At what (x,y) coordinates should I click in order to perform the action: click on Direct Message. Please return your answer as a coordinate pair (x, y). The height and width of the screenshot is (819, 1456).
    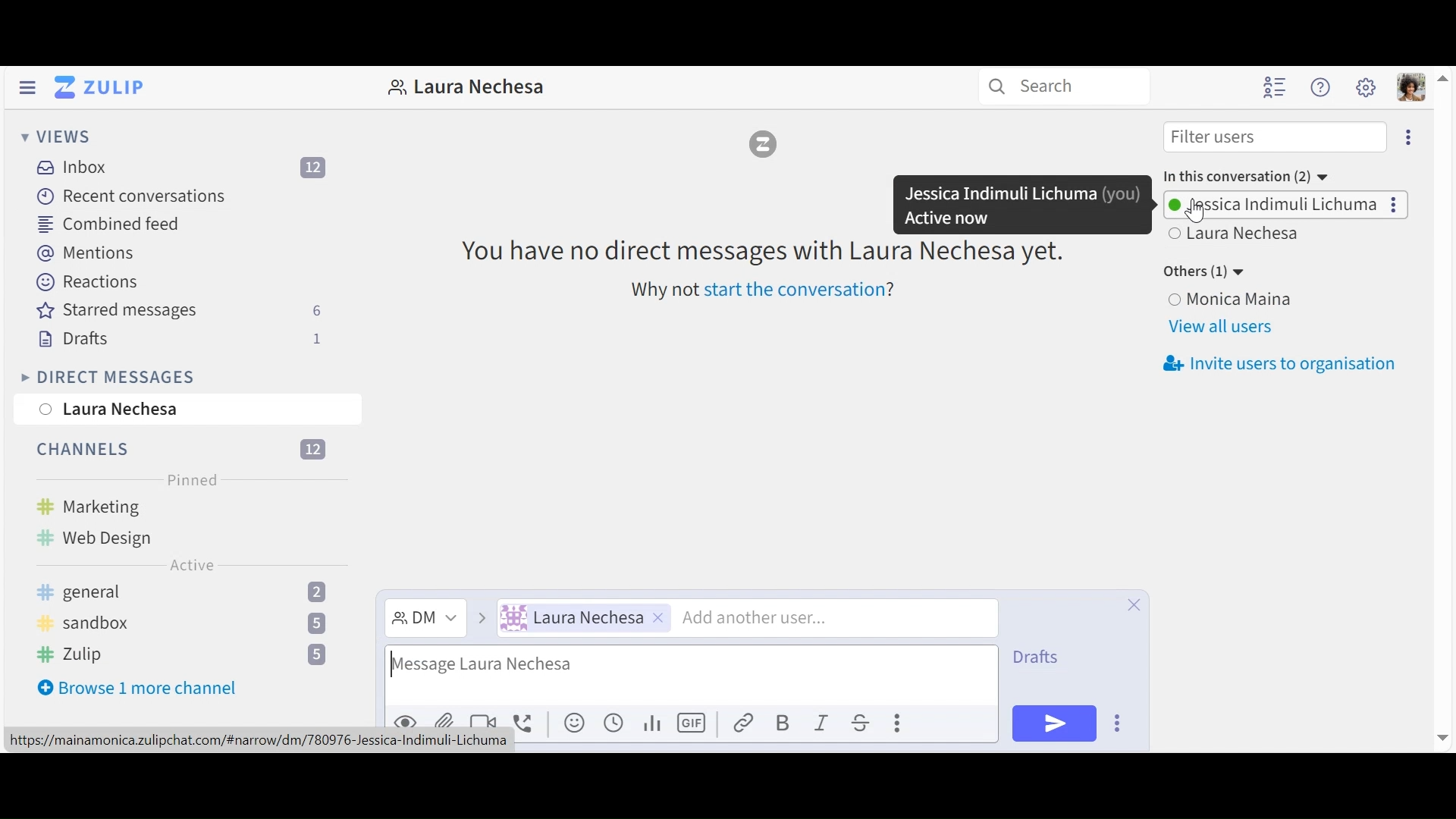
    Looking at the image, I should click on (425, 619).